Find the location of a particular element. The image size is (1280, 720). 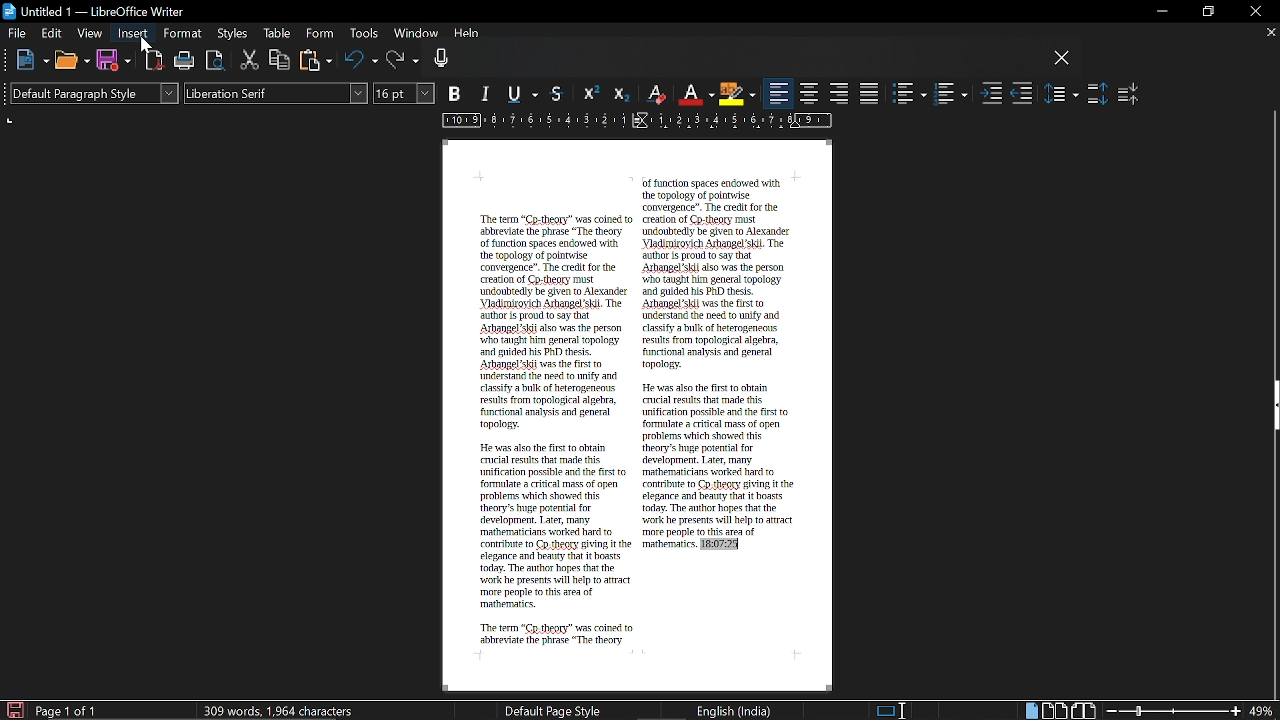

Set line spacing is located at coordinates (1062, 93).